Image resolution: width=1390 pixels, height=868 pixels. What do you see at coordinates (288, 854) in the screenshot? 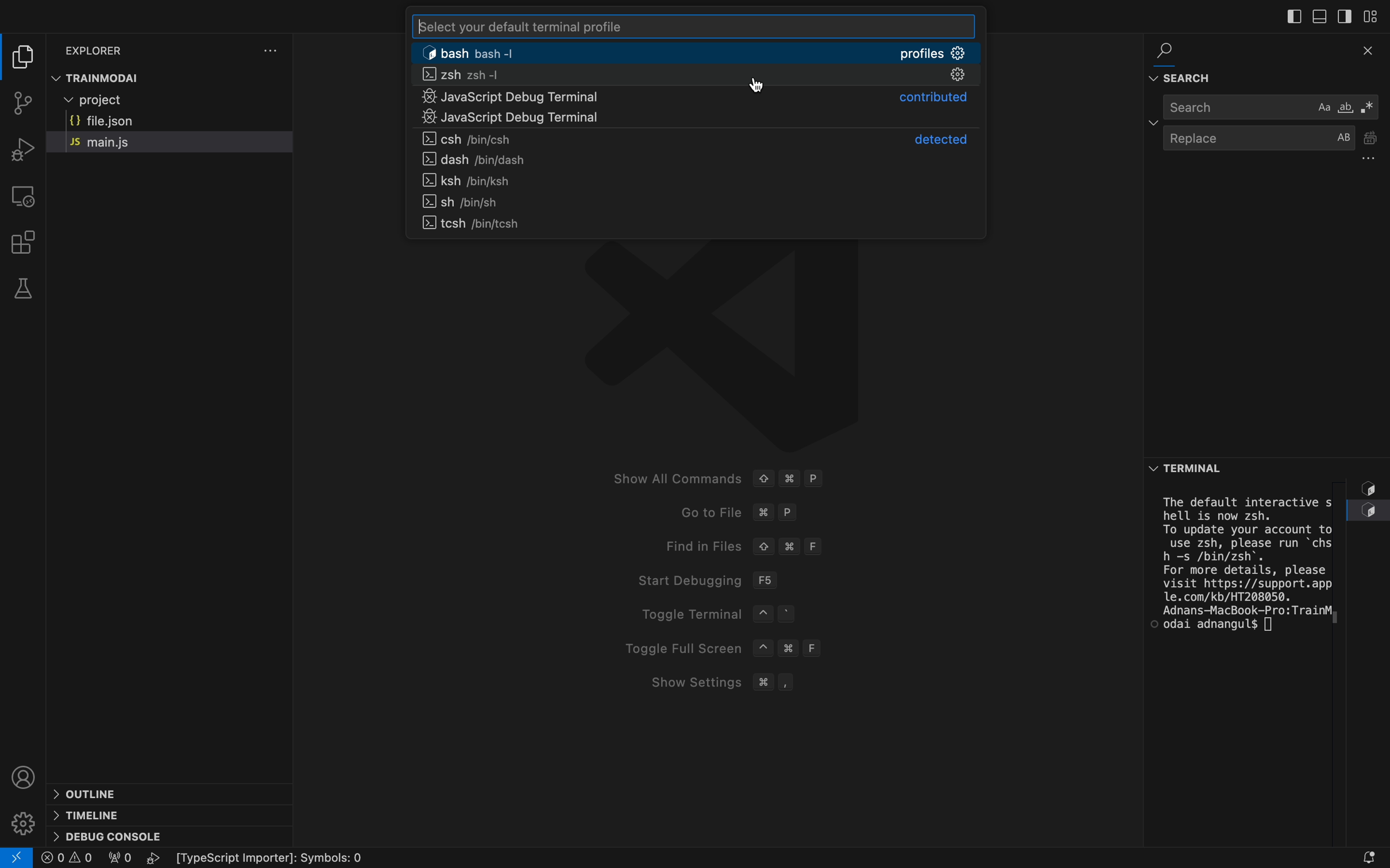
I see `` at bounding box center [288, 854].